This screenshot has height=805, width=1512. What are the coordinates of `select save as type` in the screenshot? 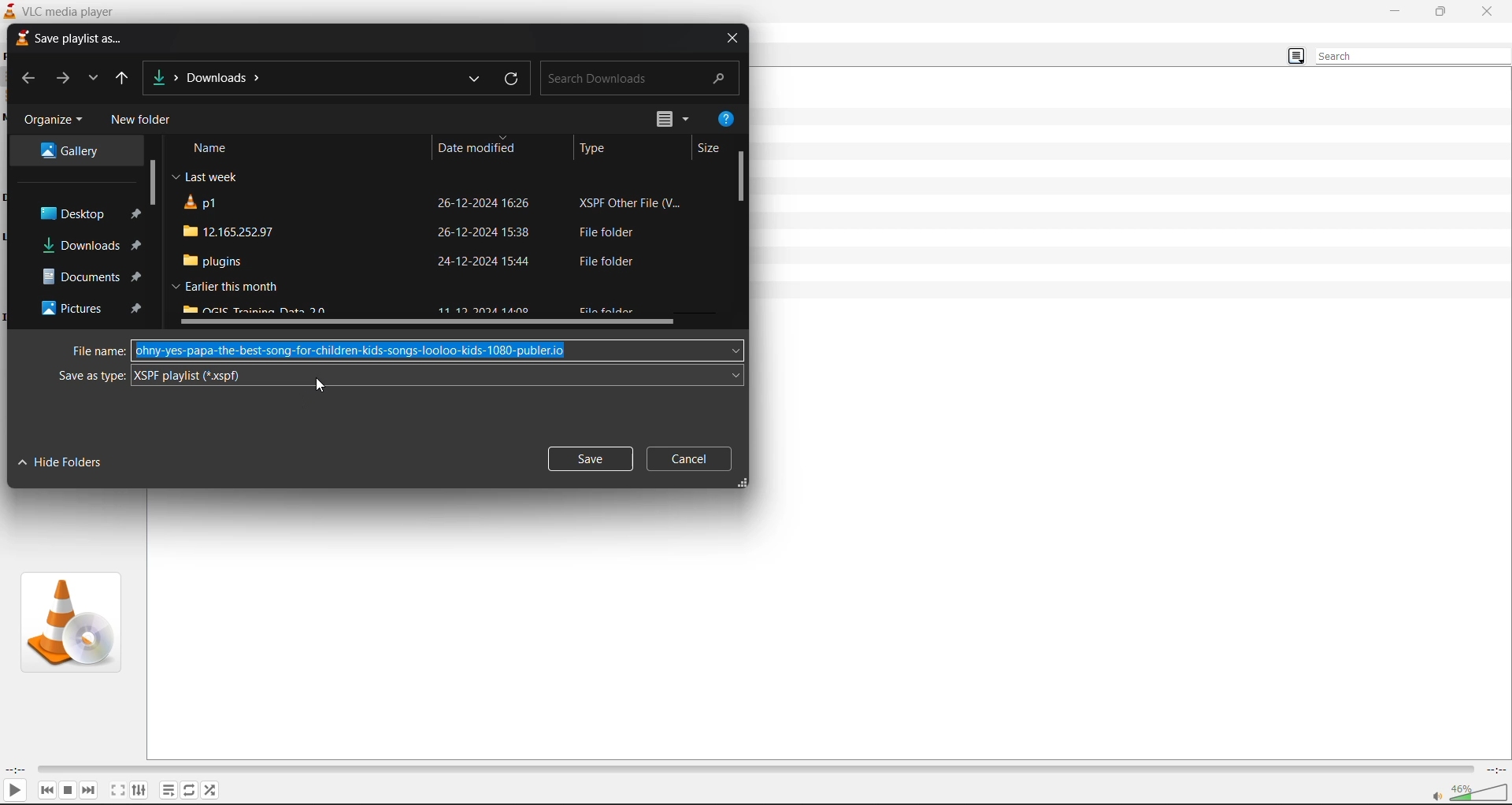 It's located at (439, 377).